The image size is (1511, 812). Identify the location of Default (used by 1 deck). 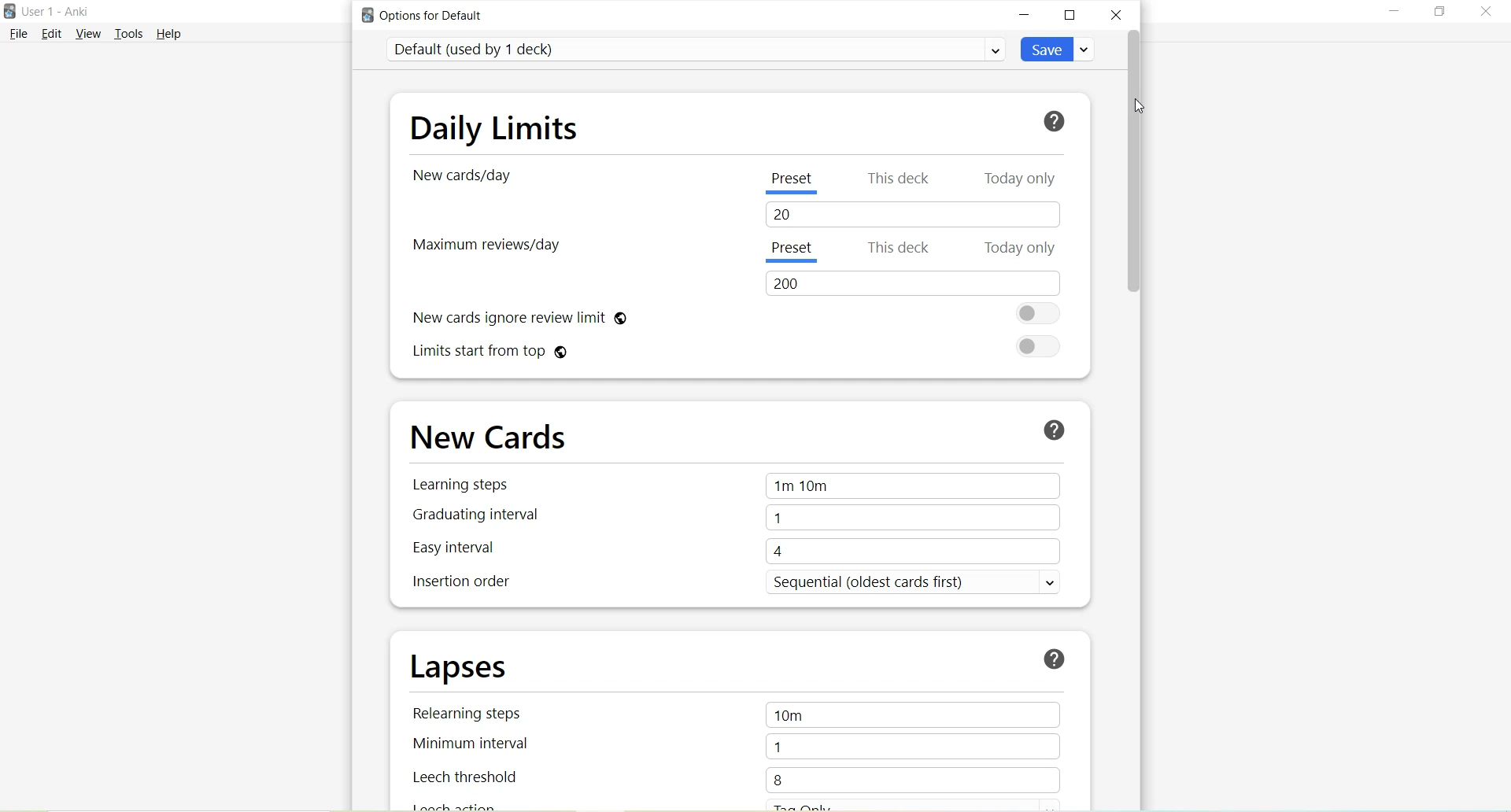
(696, 49).